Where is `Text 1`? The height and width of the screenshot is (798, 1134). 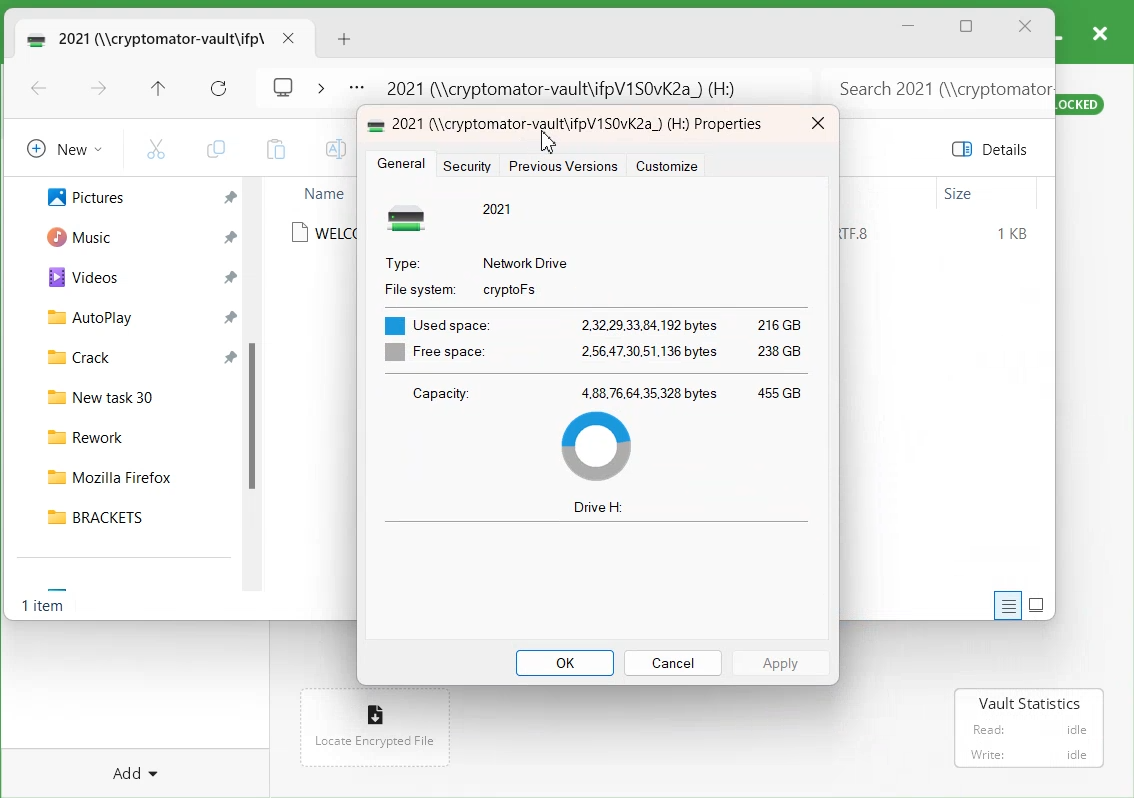 Text 1 is located at coordinates (583, 125).